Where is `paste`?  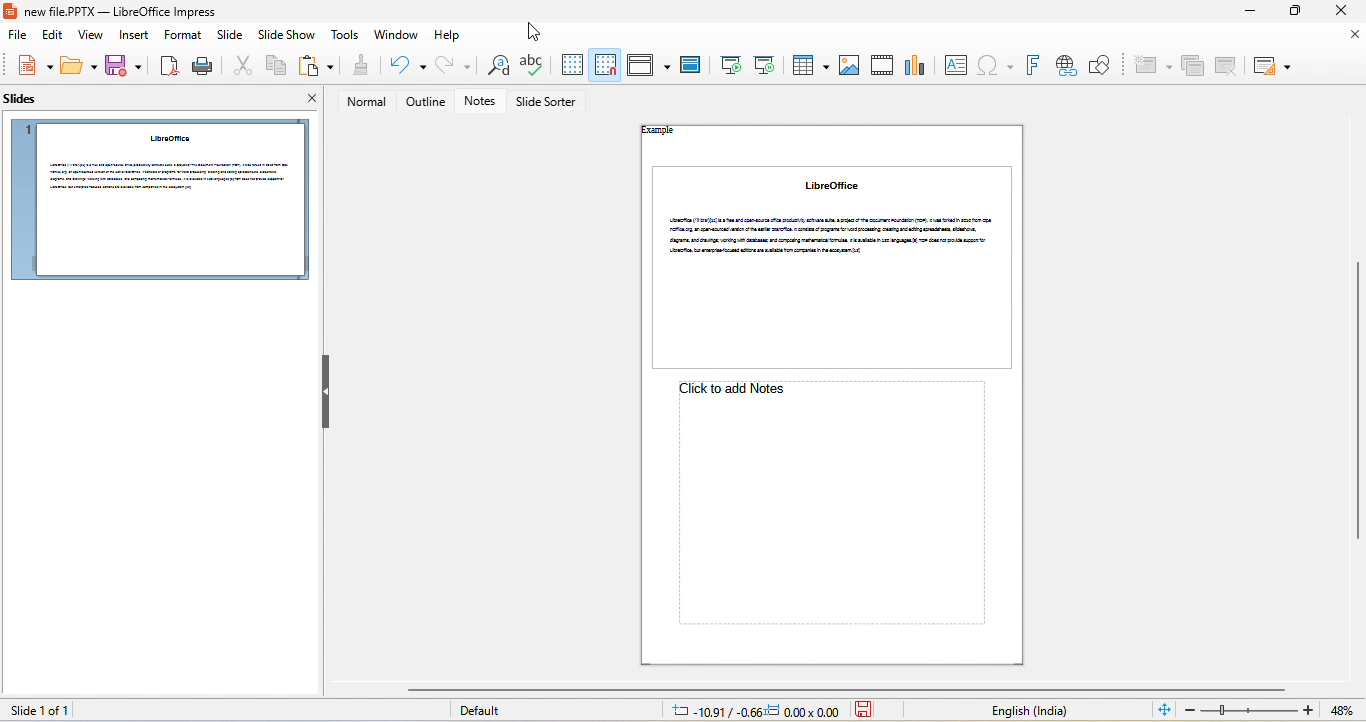 paste is located at coordinates (316, 66).